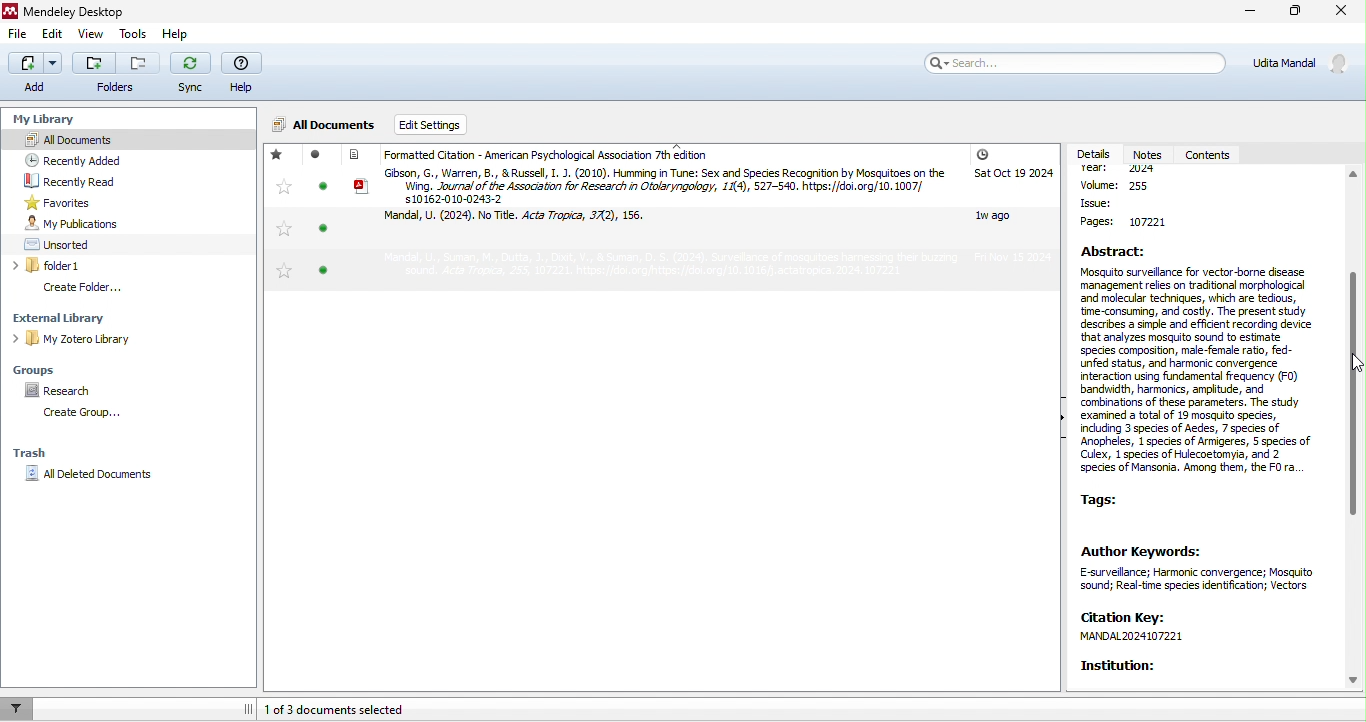 This screenshot has height=722, width=1366. Describe the element at coordinates (132, 34) in the screenshot. I see `tools` at that location.